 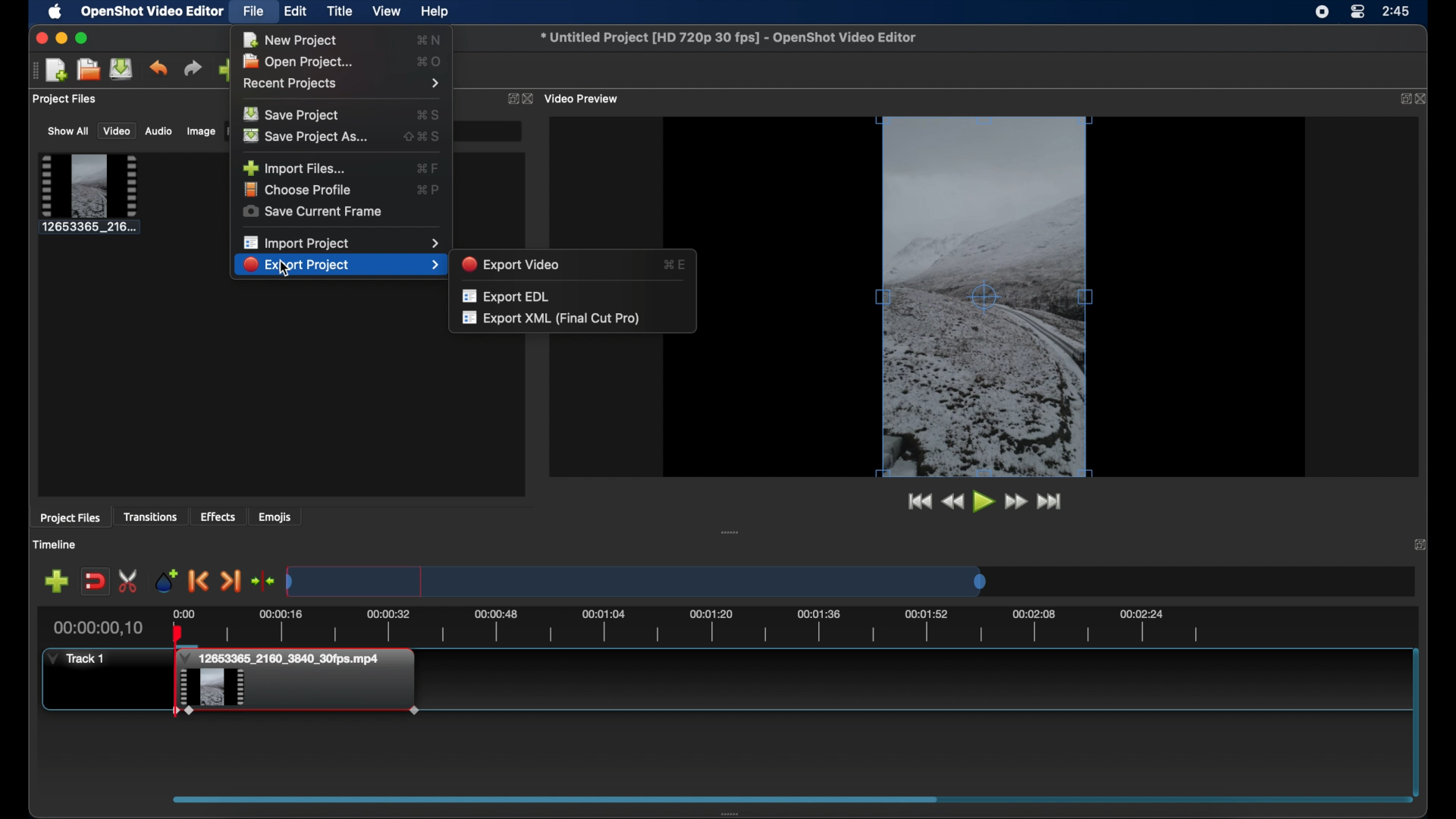 I want to click on clip, so click(x=89, y=194).